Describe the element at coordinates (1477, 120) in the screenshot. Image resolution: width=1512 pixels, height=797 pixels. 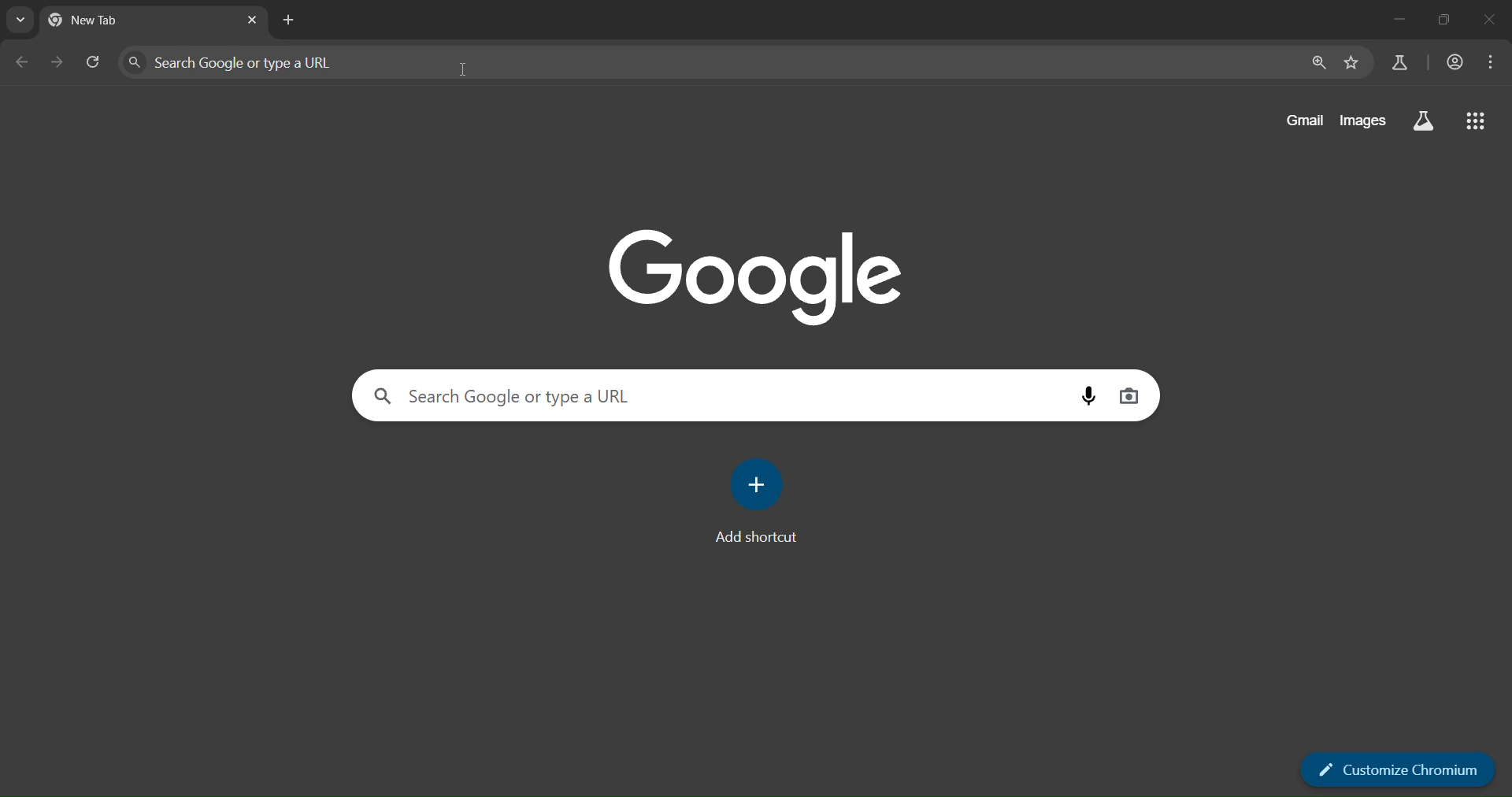
I see `google apps` at that location.